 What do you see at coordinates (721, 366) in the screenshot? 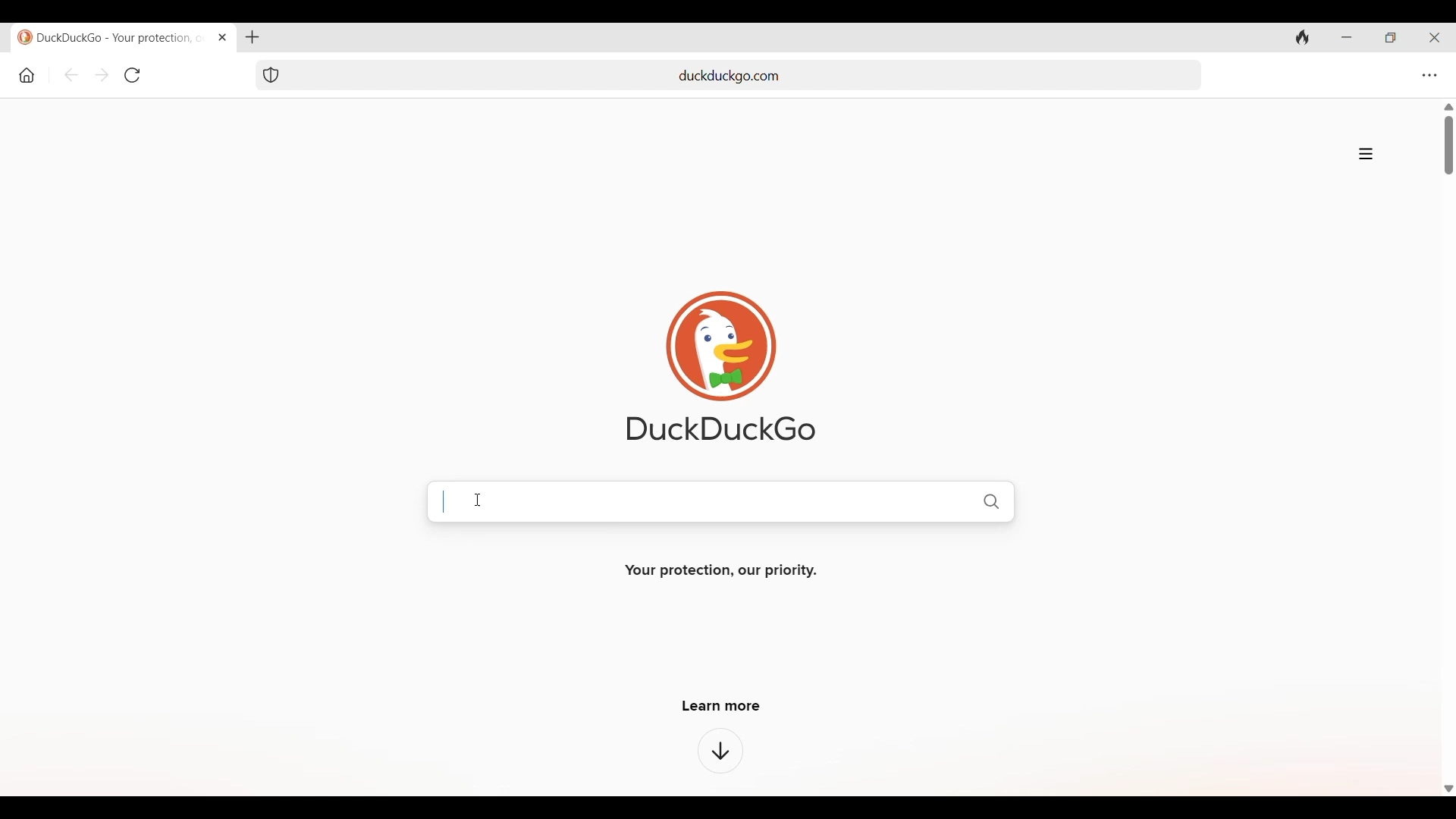
I see `DuckDuckGo logo and name` at bounding box center [721, 366].